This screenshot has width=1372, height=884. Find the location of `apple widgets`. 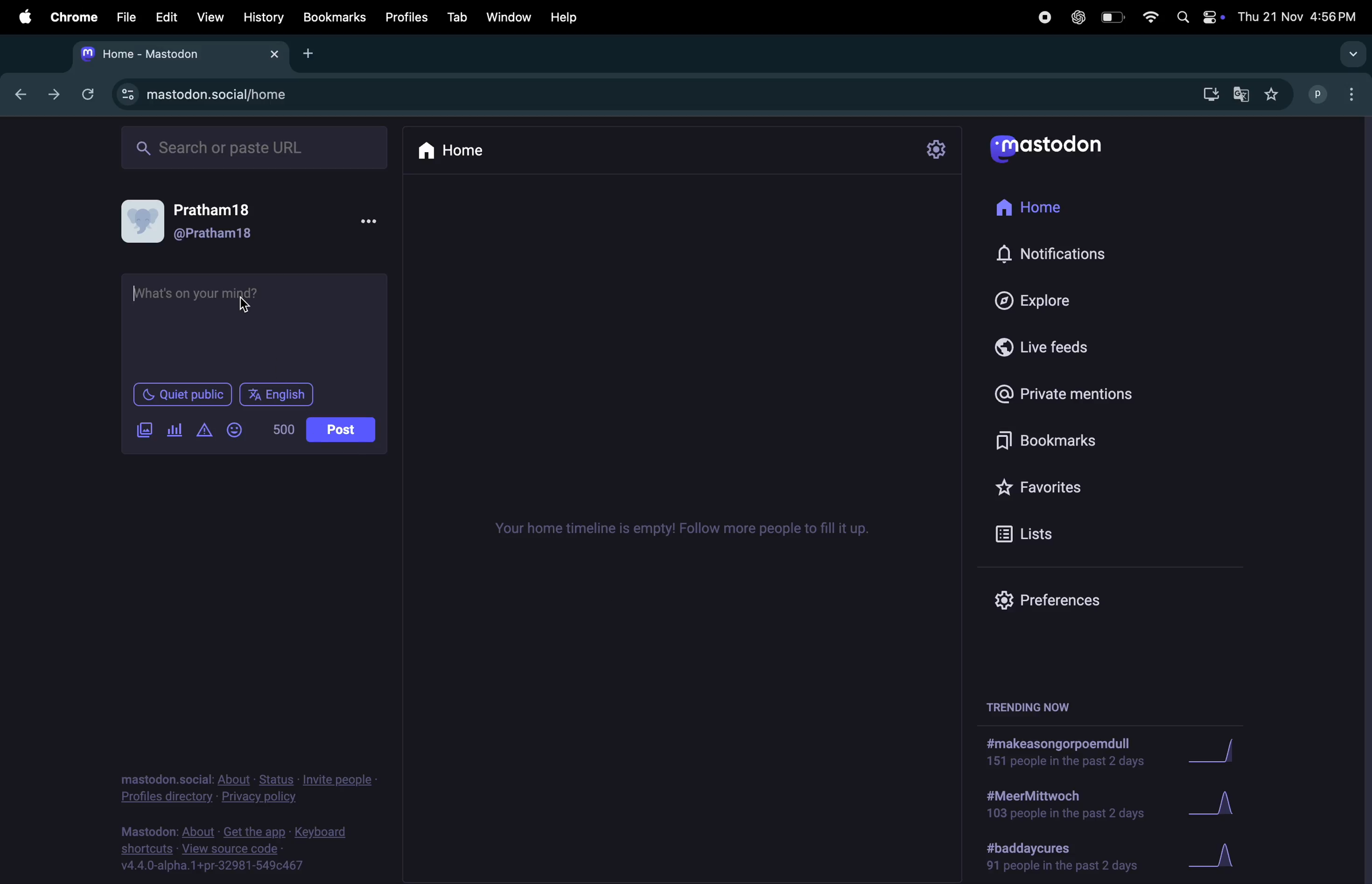

apple widgets is located at coordinates (1213, 17).